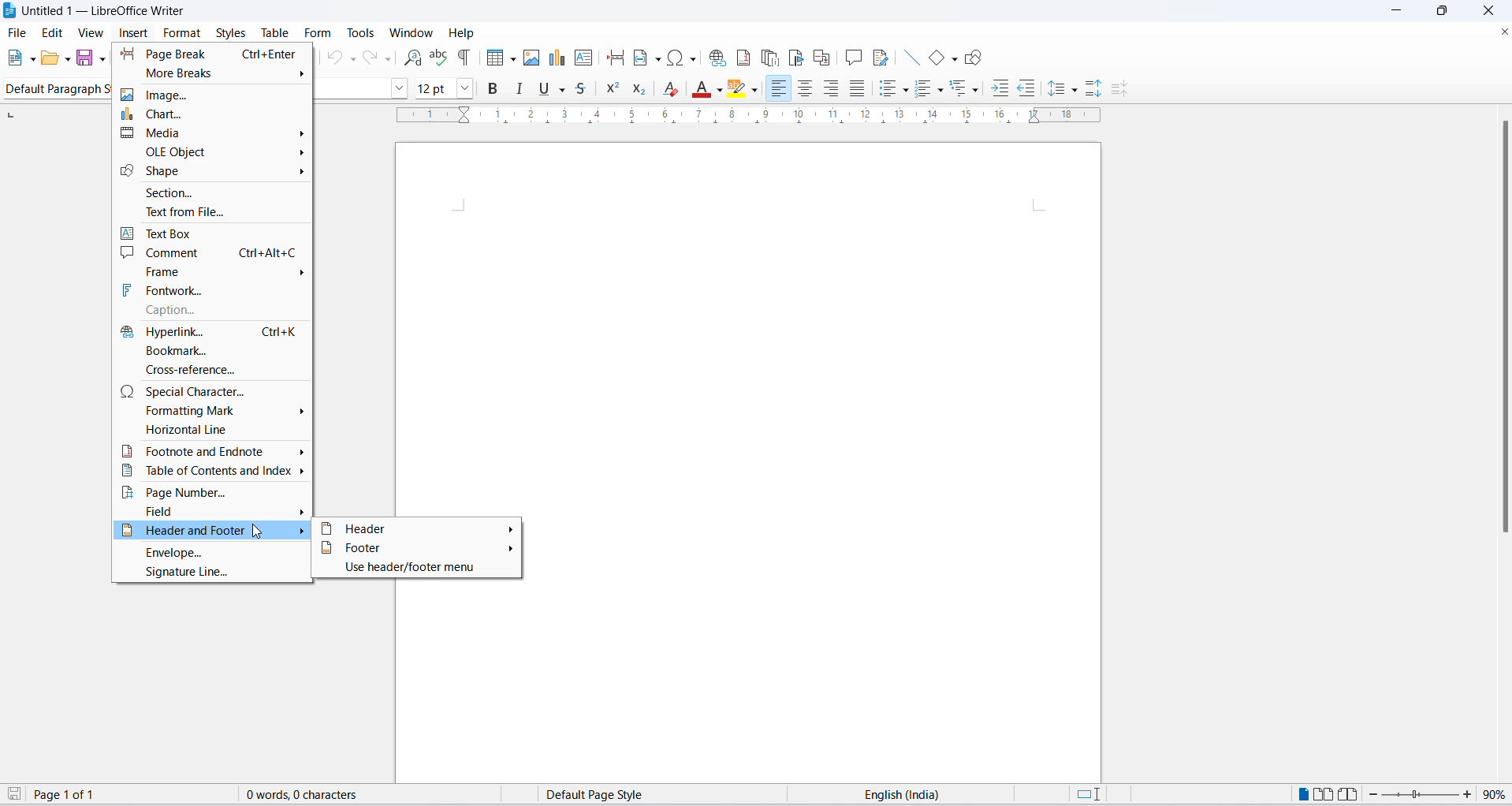 The image size is (1512, 806). What do you see at coordinates (1087, 794) in the screenshot?
I see `standard selection` at bounding box center [1087, 794].